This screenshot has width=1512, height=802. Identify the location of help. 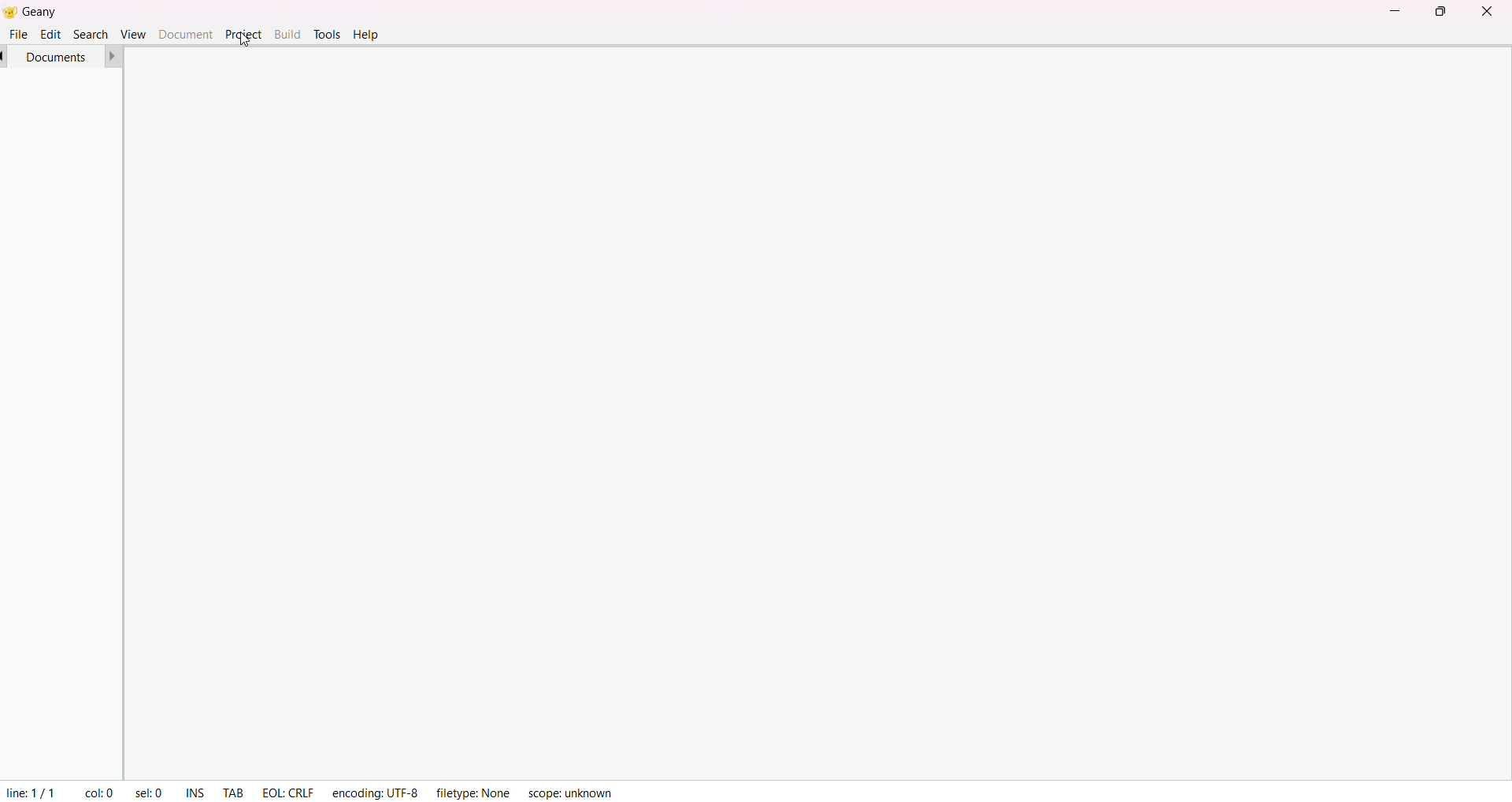
(367, 35).